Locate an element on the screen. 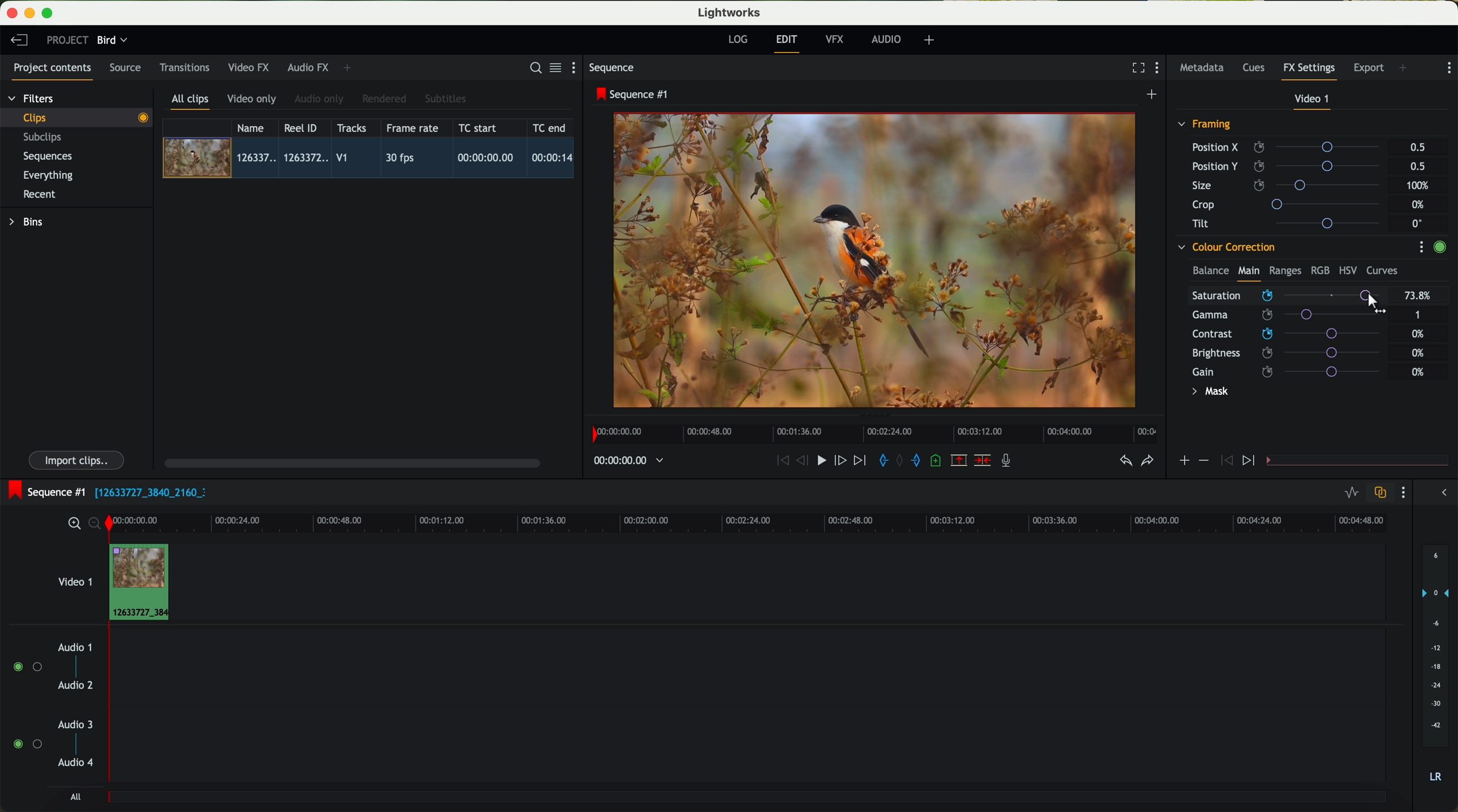 The image size is (1458, 812). 100% is located at coordinates (1421, 186).